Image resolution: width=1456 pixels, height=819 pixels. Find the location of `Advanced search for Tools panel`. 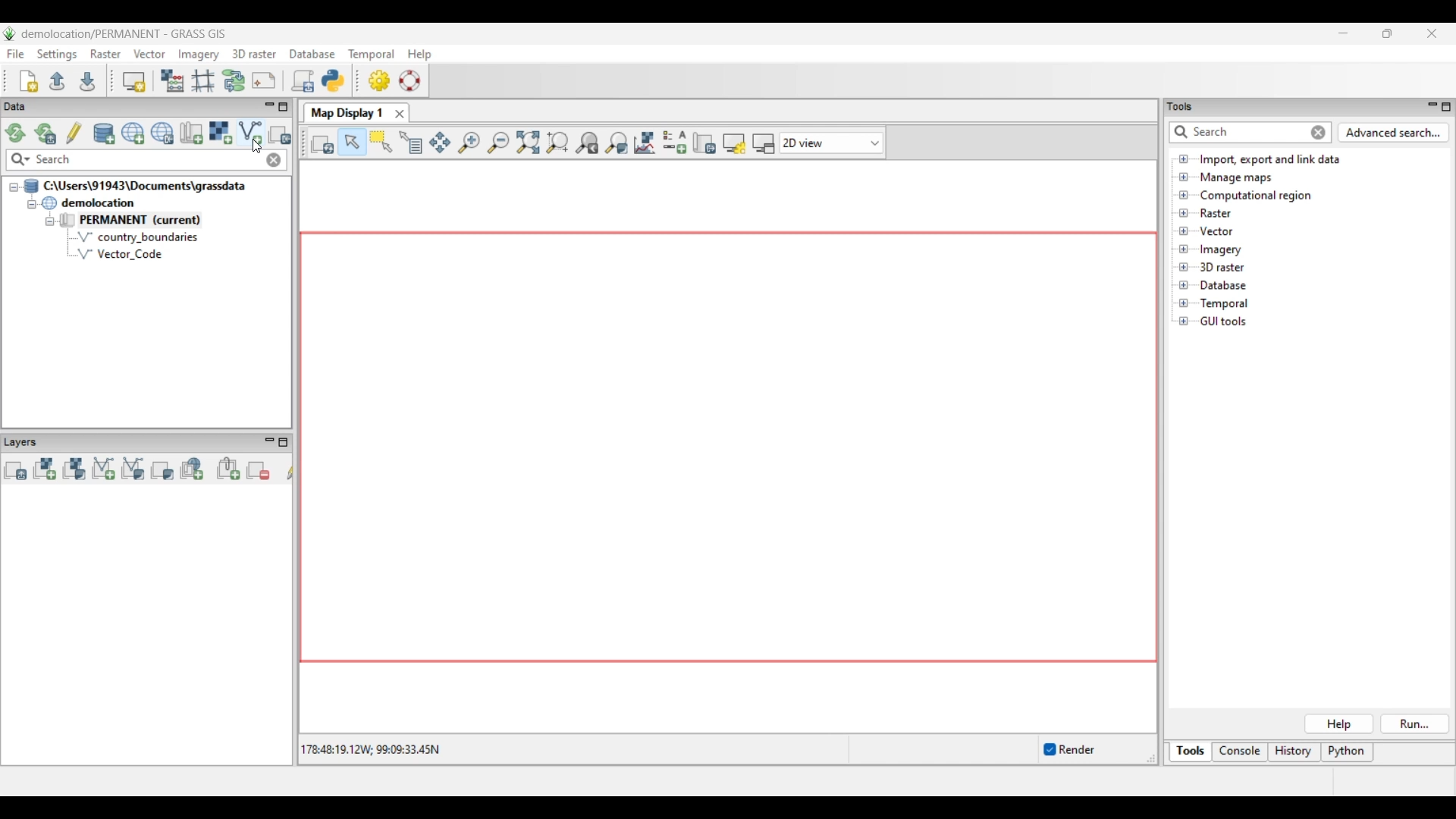

Advanced search for Tools panel is located at coordinates (1394, 133).